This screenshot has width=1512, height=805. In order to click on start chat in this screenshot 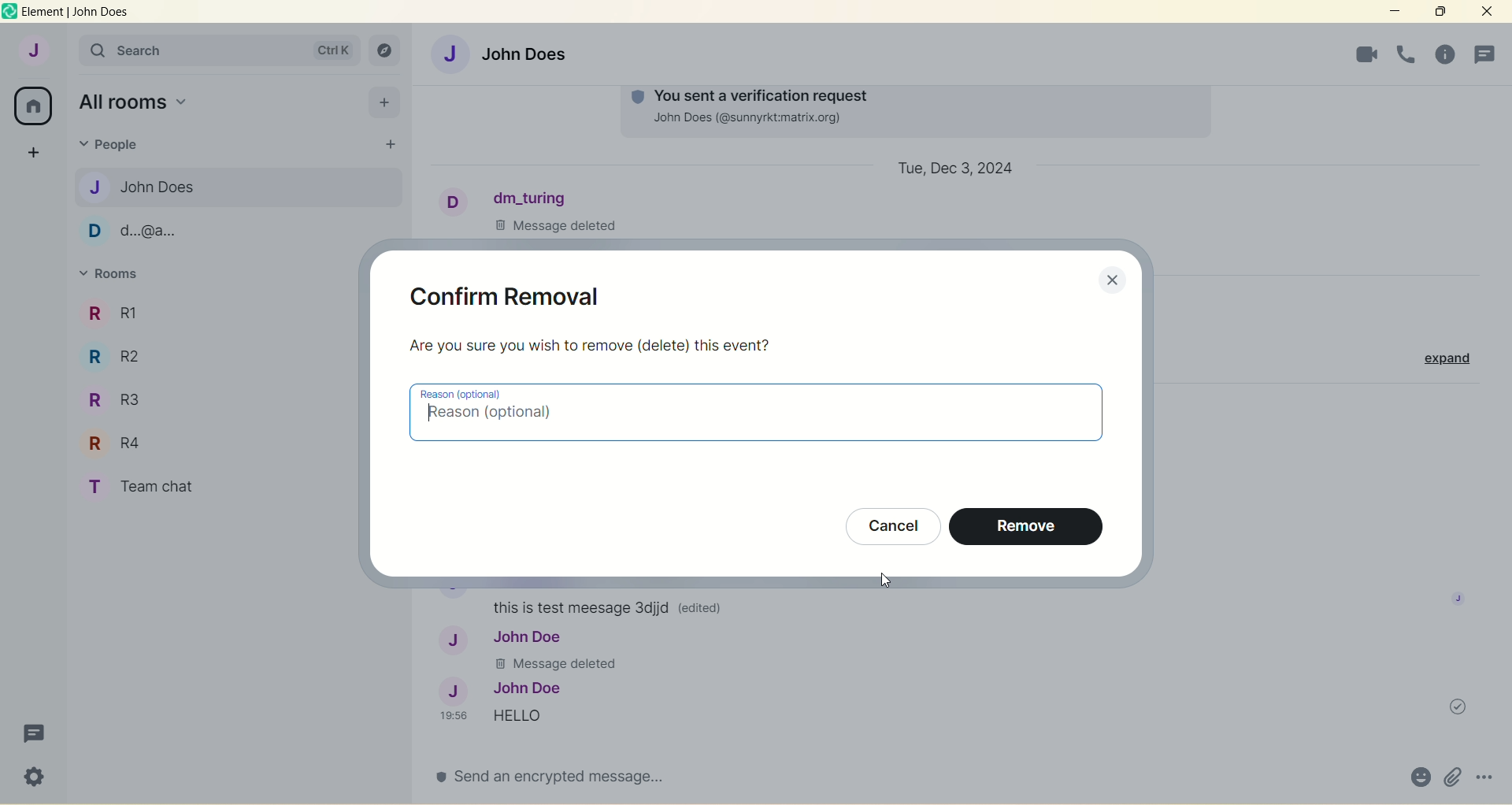, I will do `click(391, 143)`.